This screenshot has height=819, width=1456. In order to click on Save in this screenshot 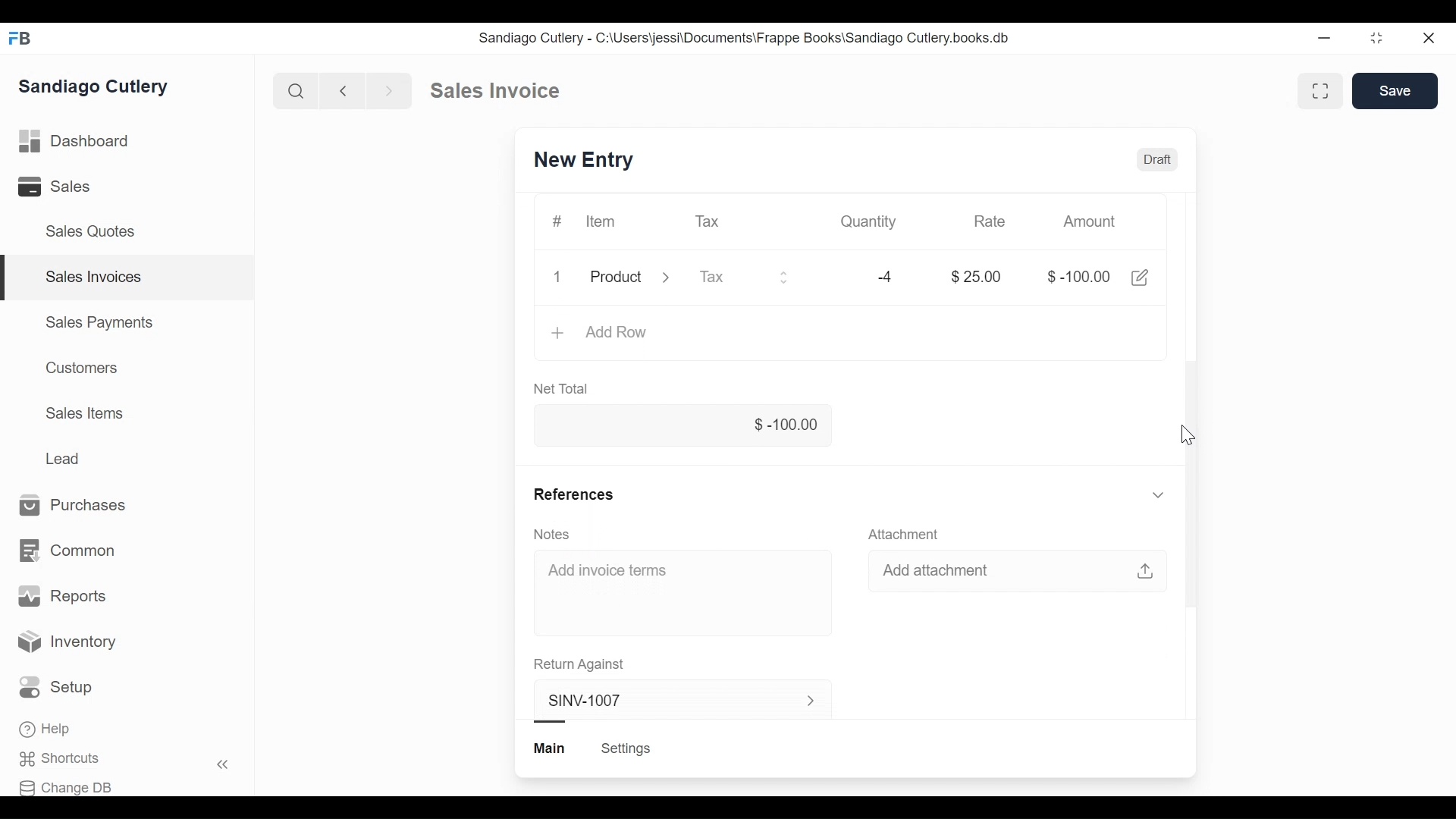, I will do `click(1395, 91)`.